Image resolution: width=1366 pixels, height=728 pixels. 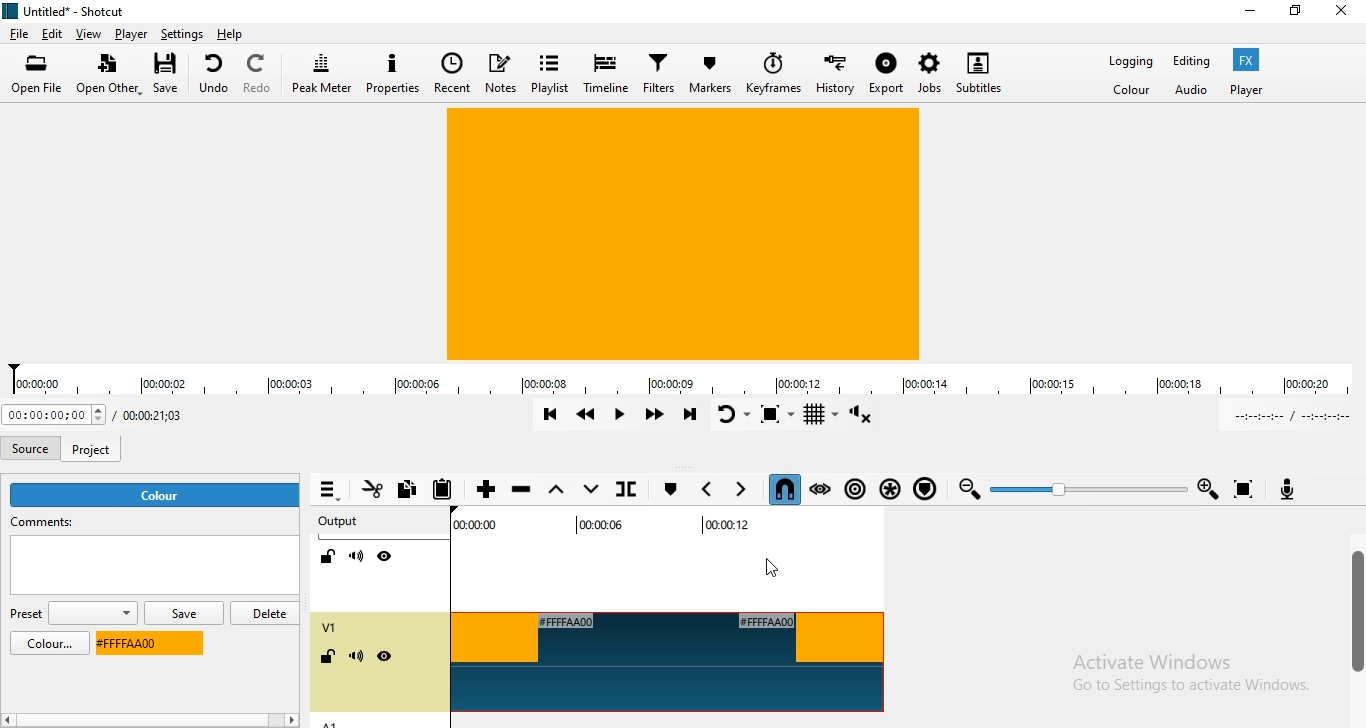 What do you see at coordinates (356, 658) in the screenshot?
I see `mute` at bounding box center [356, 658].